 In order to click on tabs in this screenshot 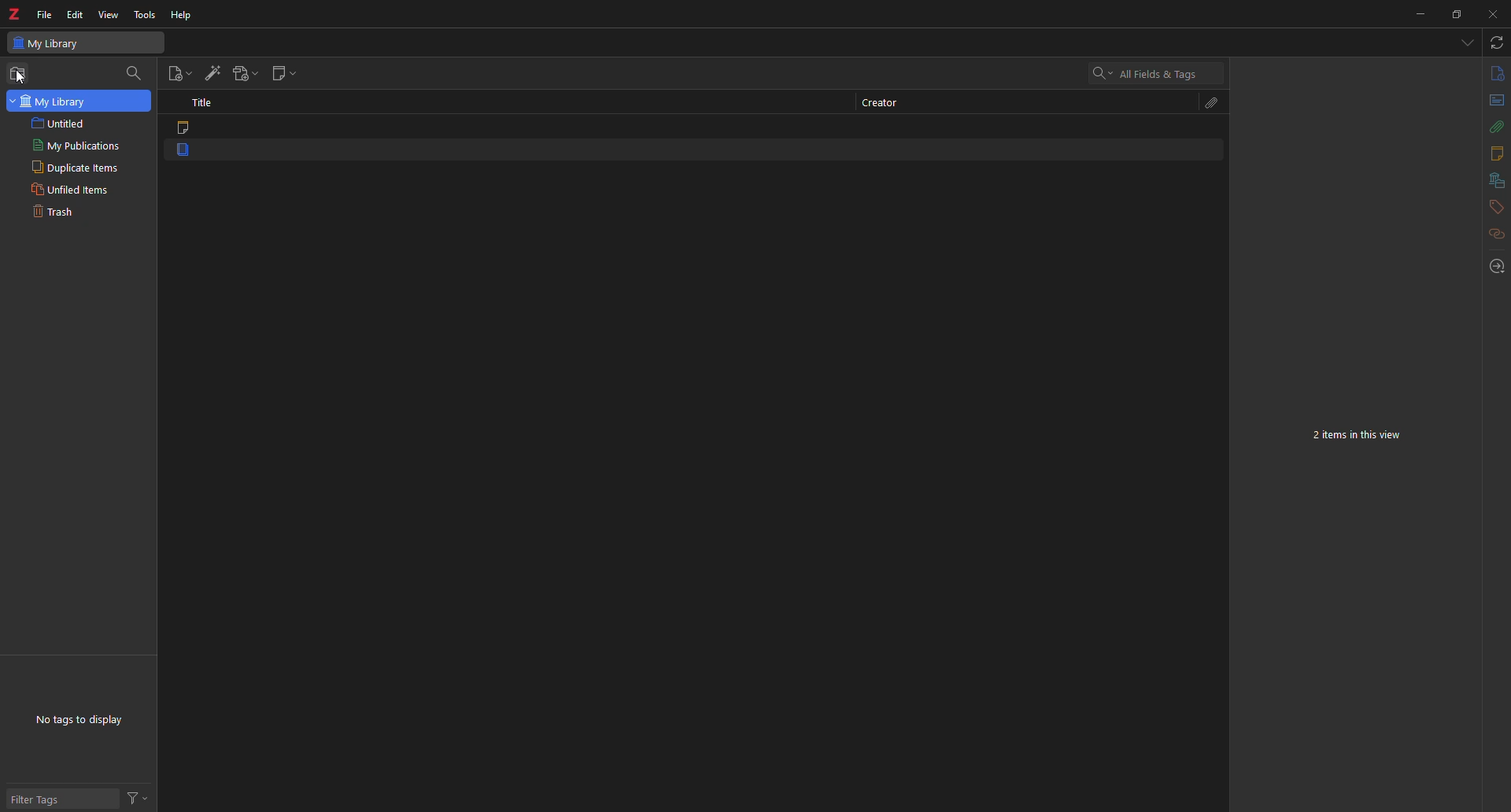, I will do `click(1466, 43)`.